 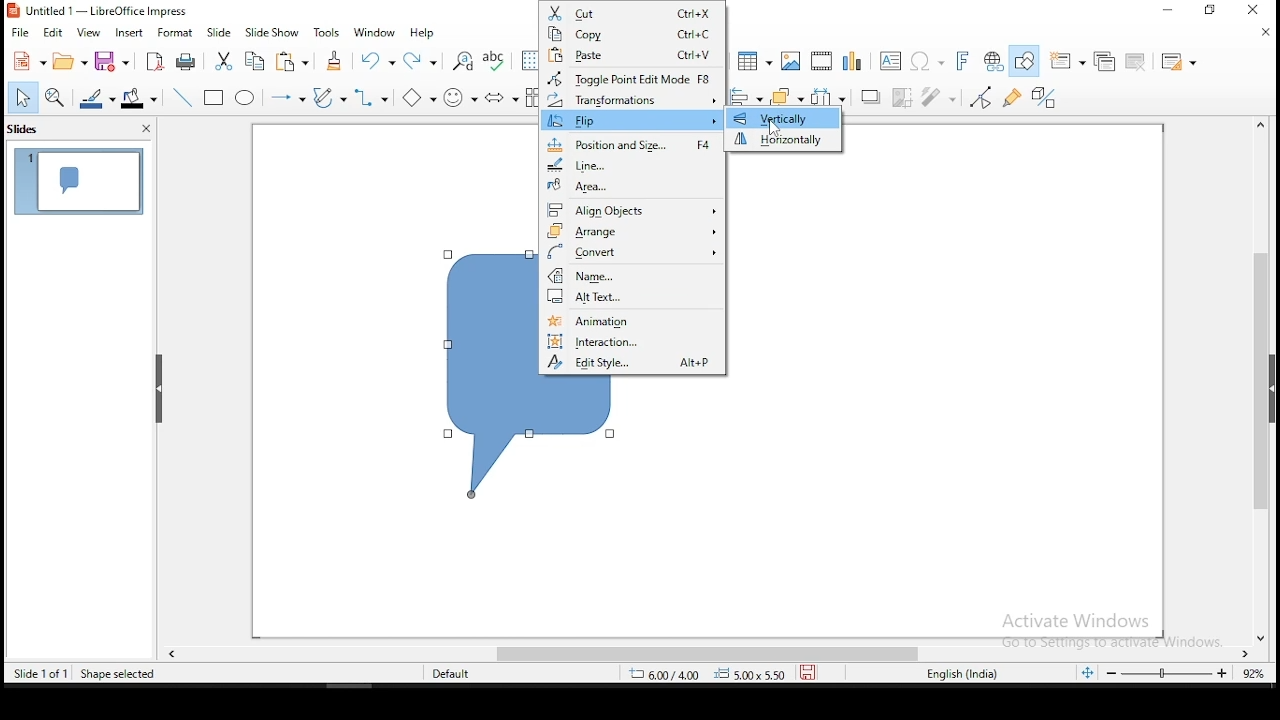 I want to click on flip, so click(x=633, y=121).